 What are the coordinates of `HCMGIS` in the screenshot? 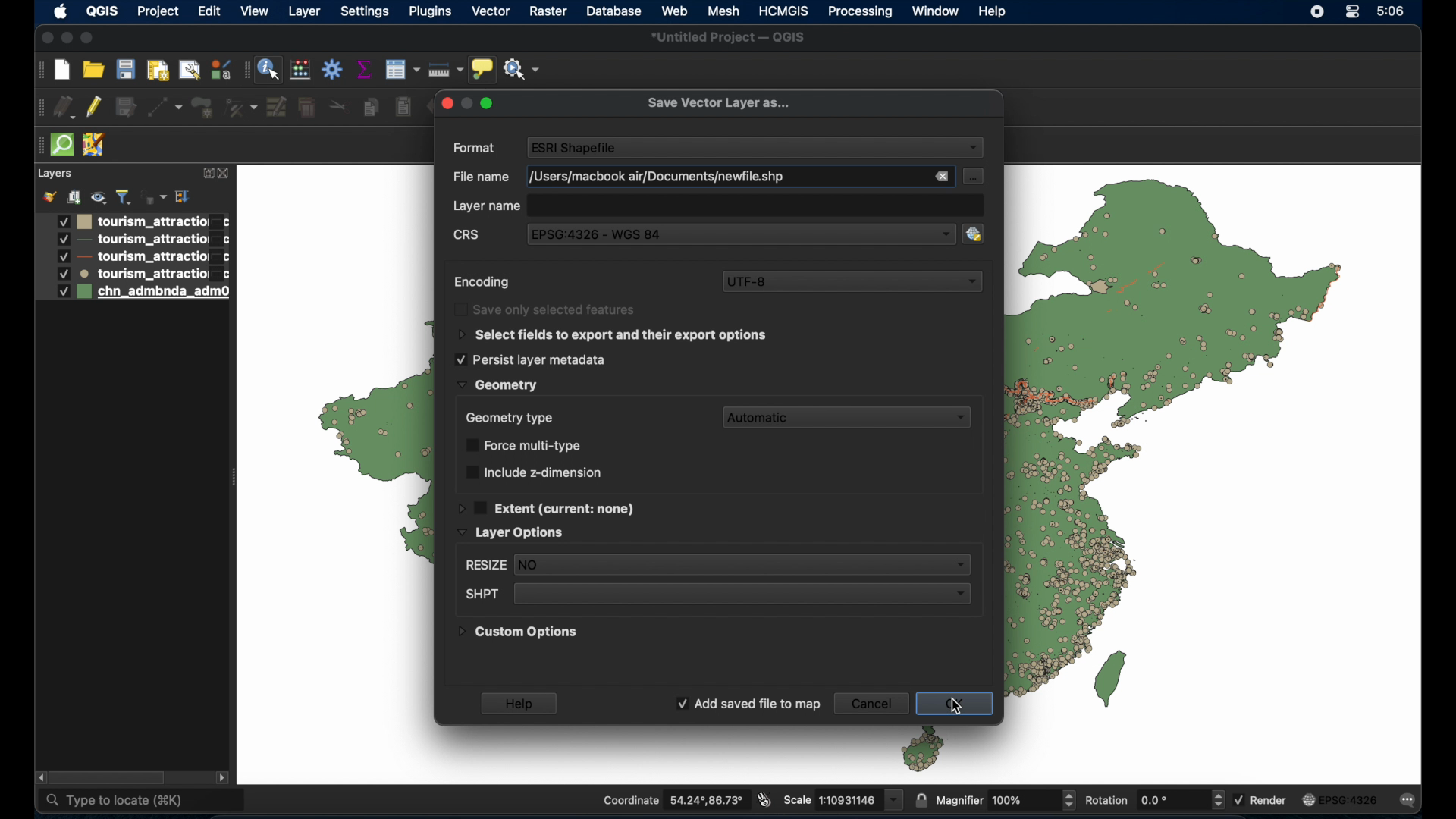 It's located at (785, 11).